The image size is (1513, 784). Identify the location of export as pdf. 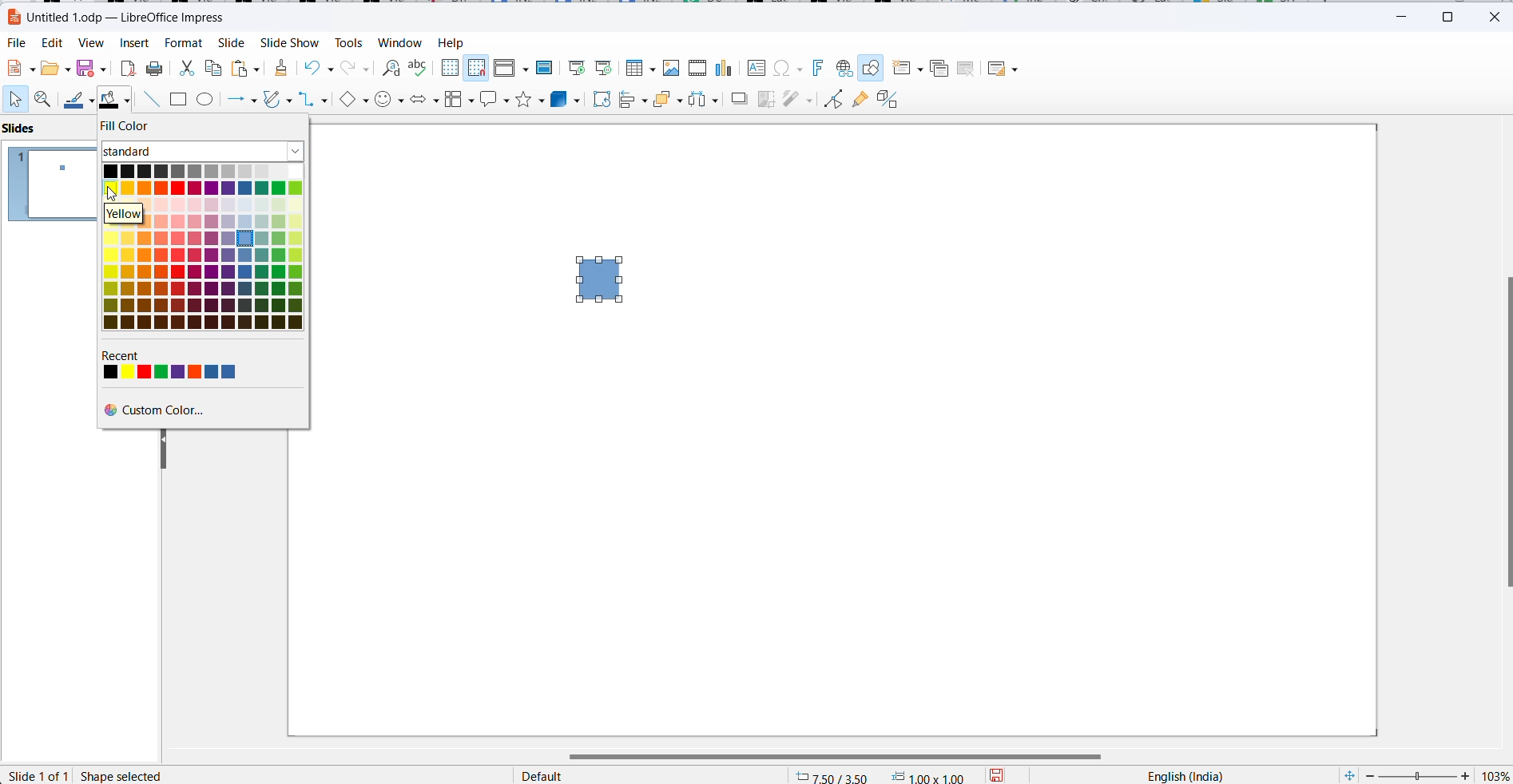
(126, 69).